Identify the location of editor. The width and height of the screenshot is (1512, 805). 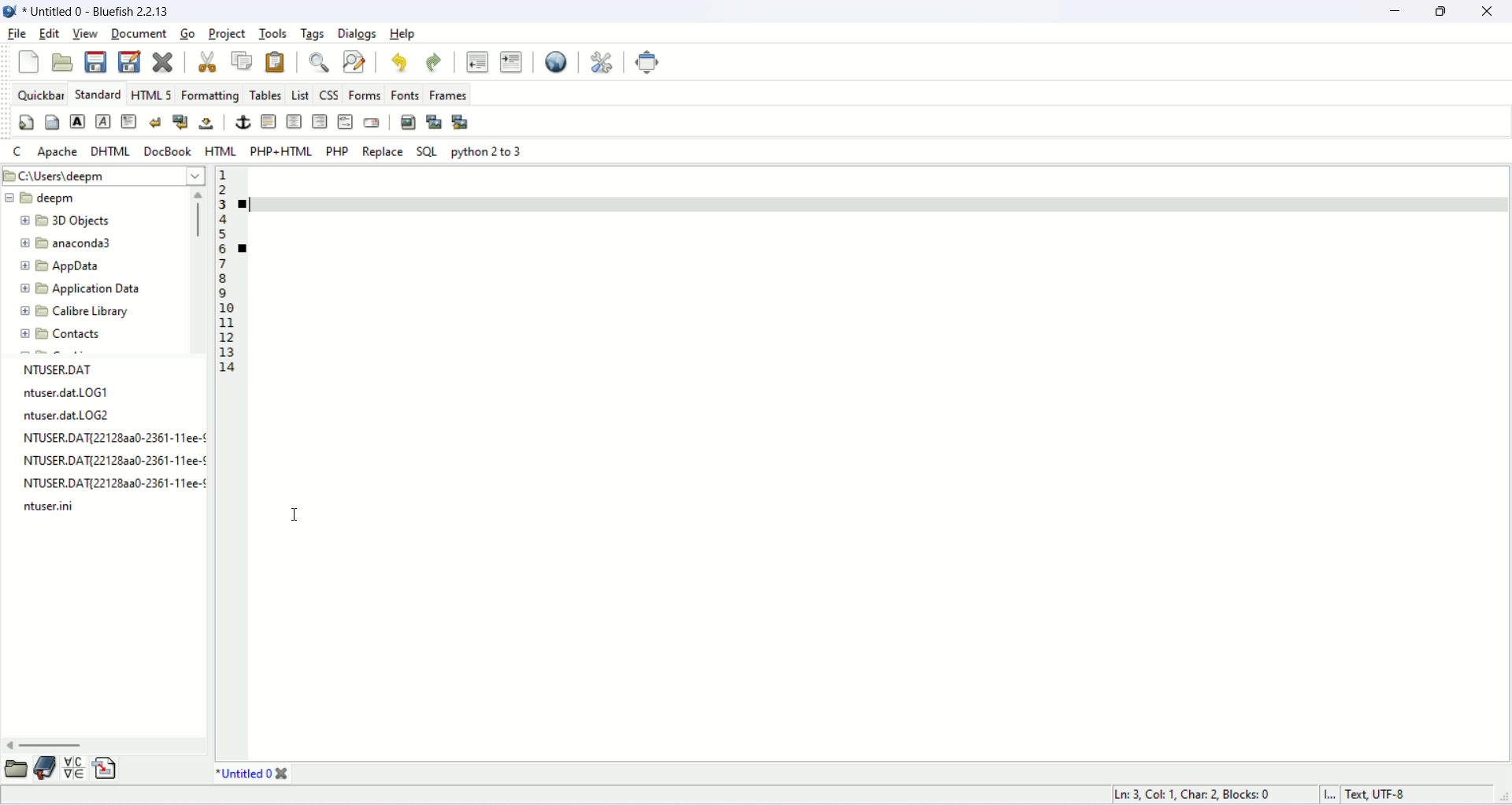
(873, 465).